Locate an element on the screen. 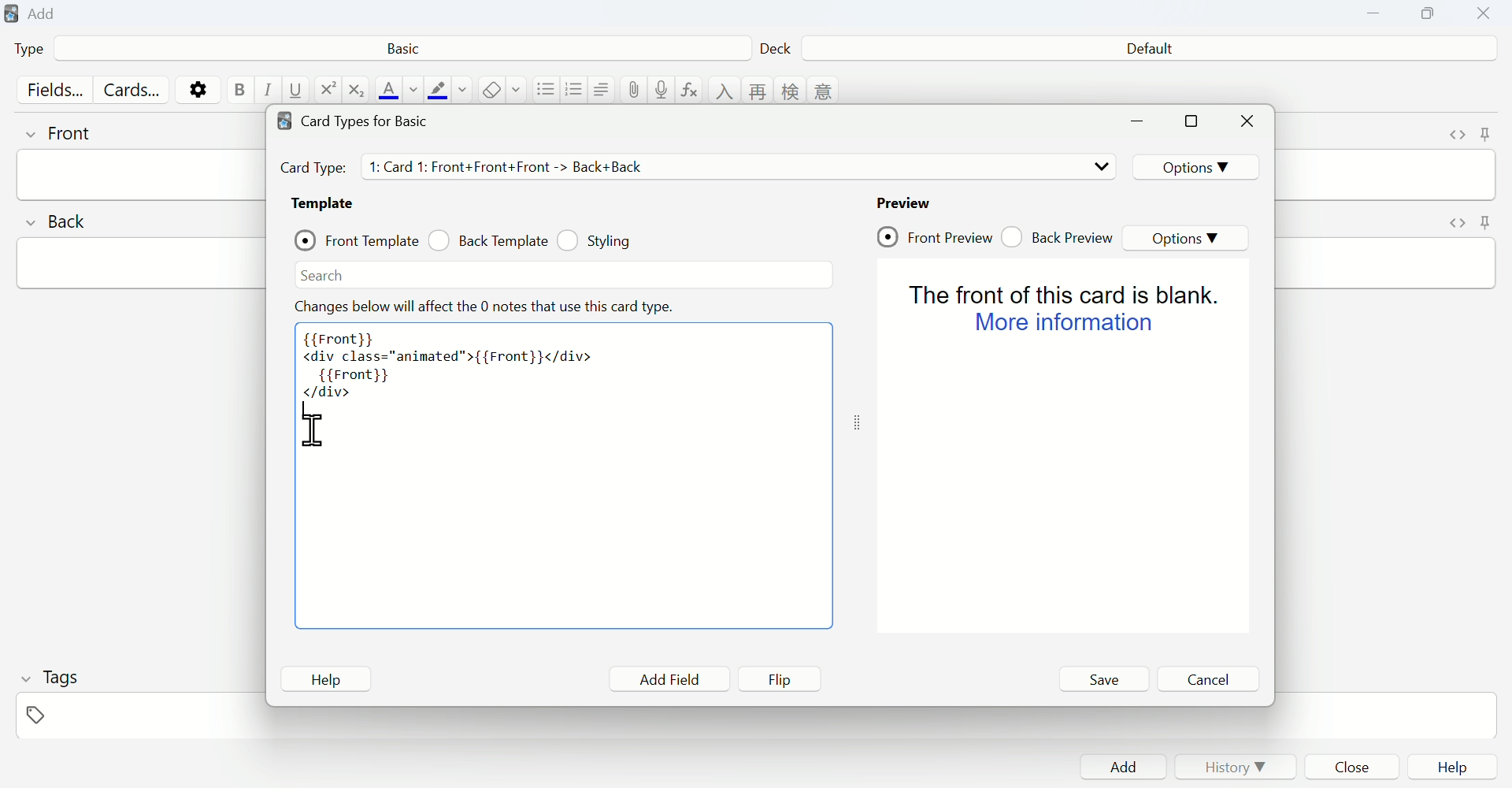 This screenshot has height=788, width=1512. Search bar is located at coordinates (564, 274).